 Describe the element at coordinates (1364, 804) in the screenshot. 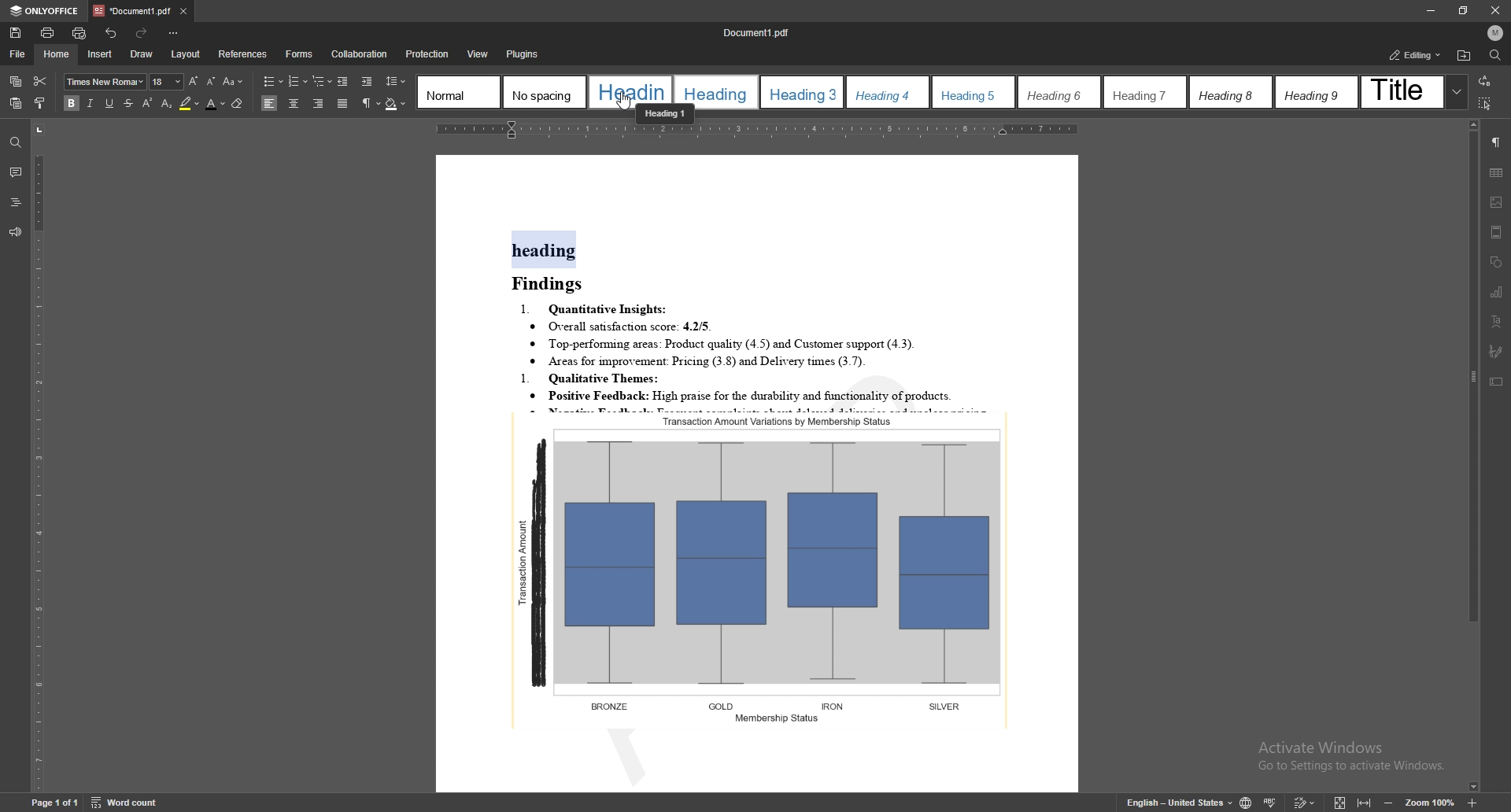

I see `fit to width` at that location.